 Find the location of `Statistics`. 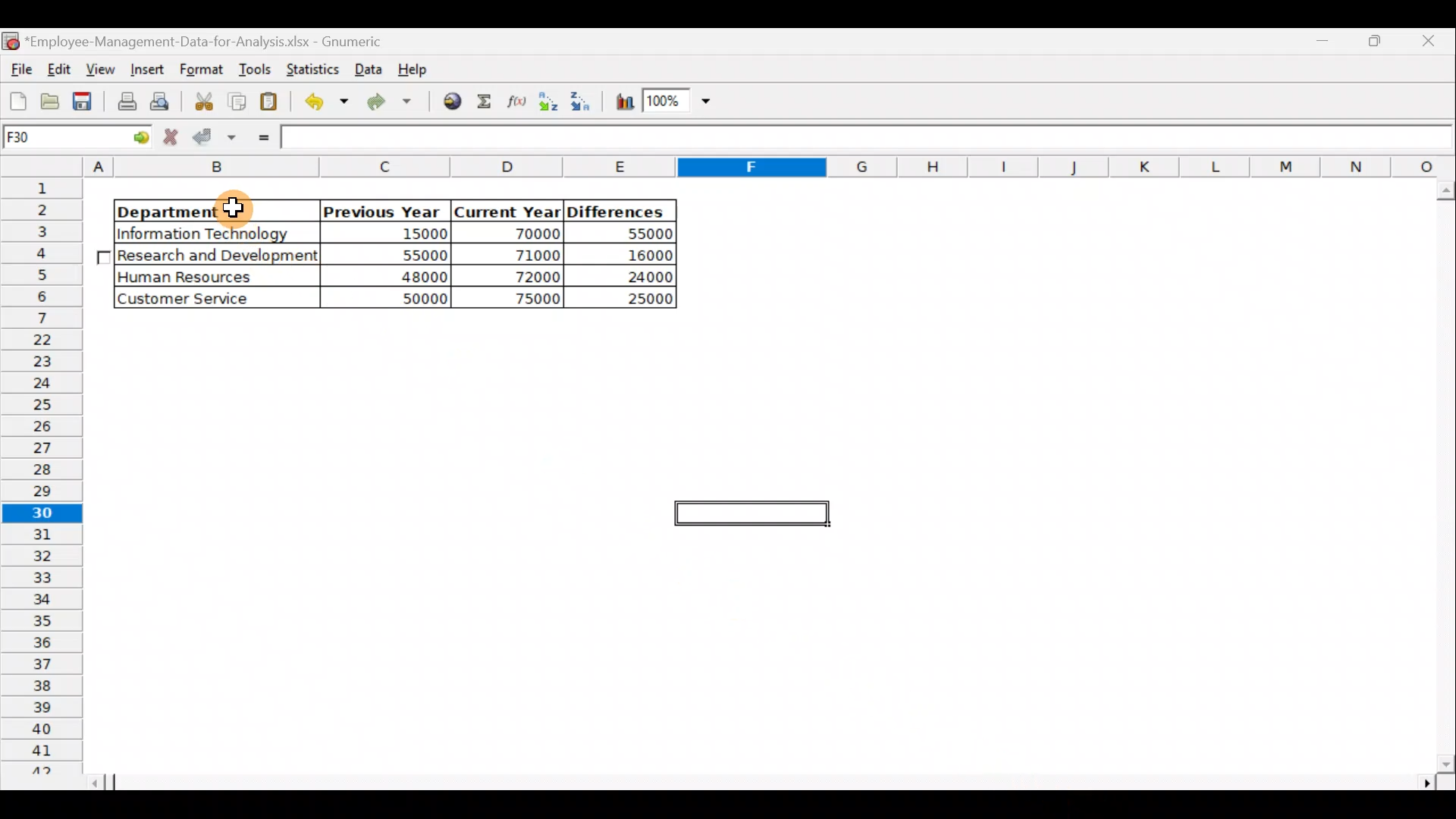

Statistics is located at coordinates (313, 68).